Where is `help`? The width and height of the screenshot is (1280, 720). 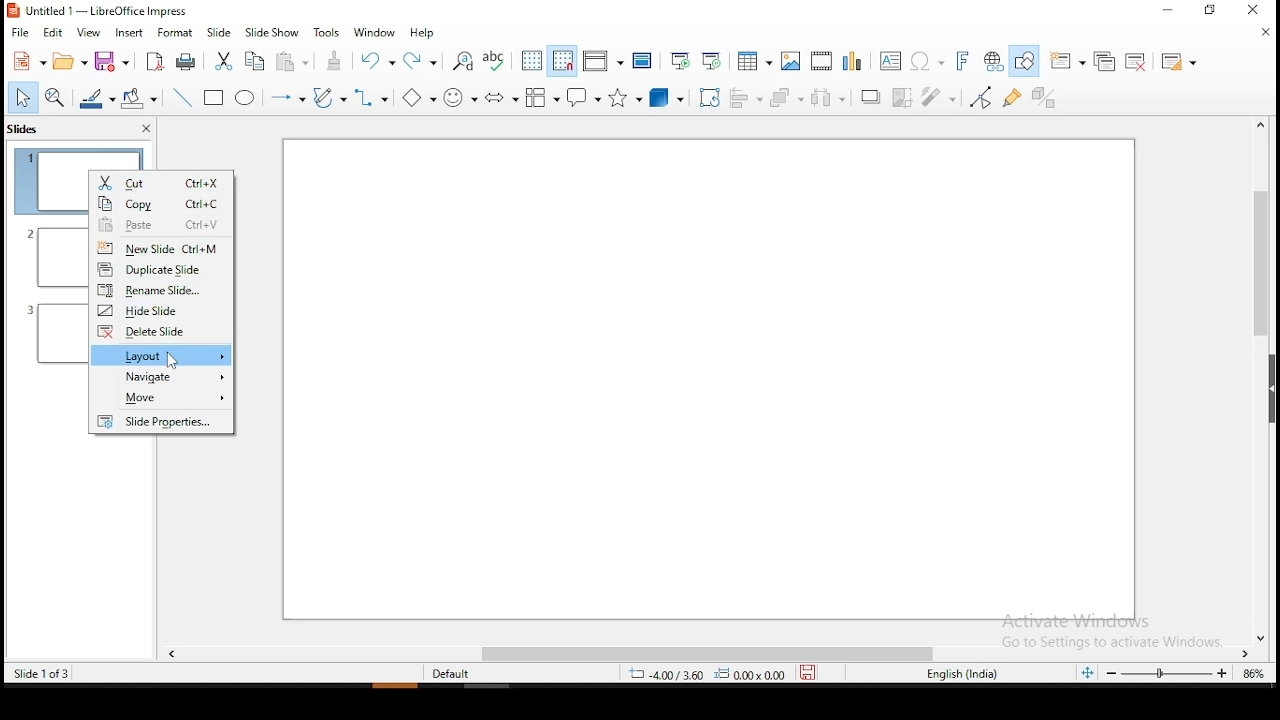 help is located at coordinates (422, 32).